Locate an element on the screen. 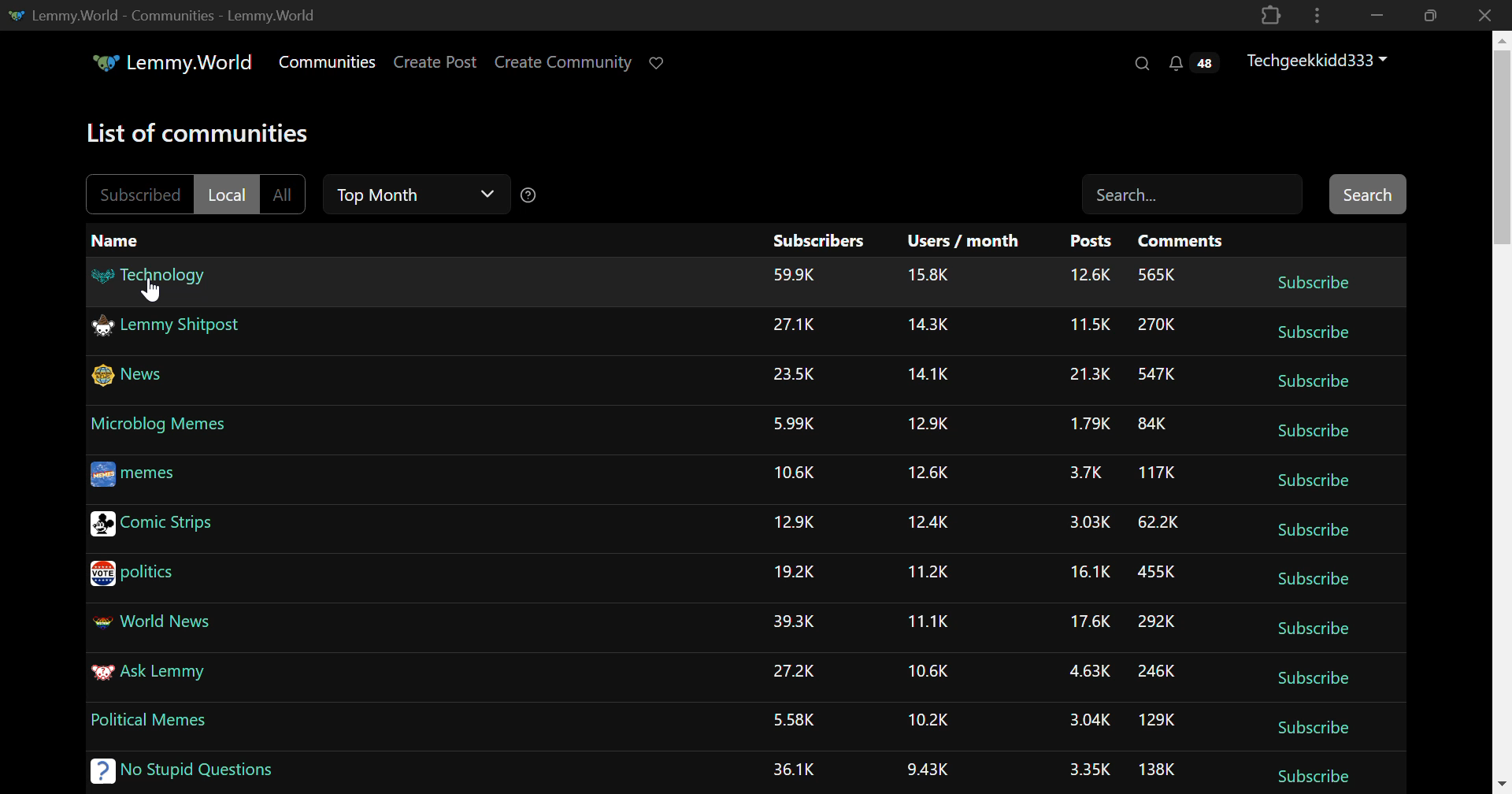  14.1K is located at coordinates (931, 375).